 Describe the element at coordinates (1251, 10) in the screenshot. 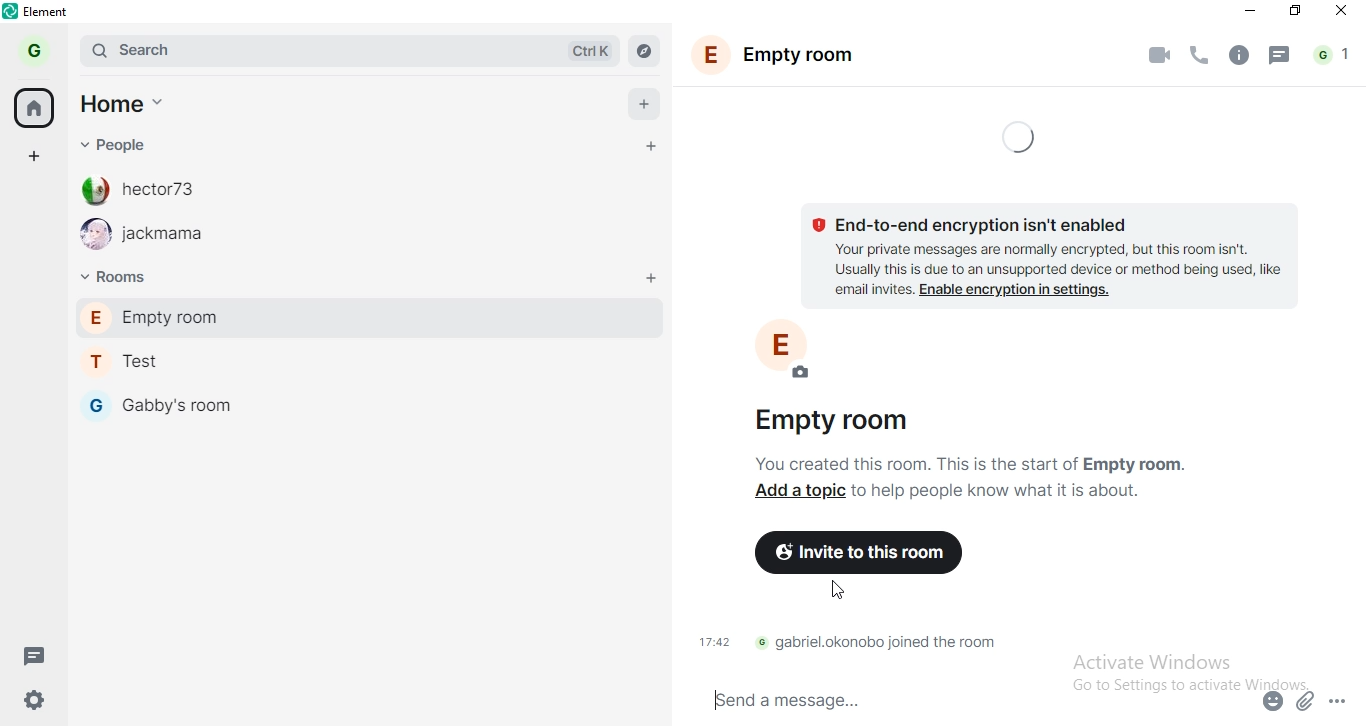

I see `minimise` at that location.